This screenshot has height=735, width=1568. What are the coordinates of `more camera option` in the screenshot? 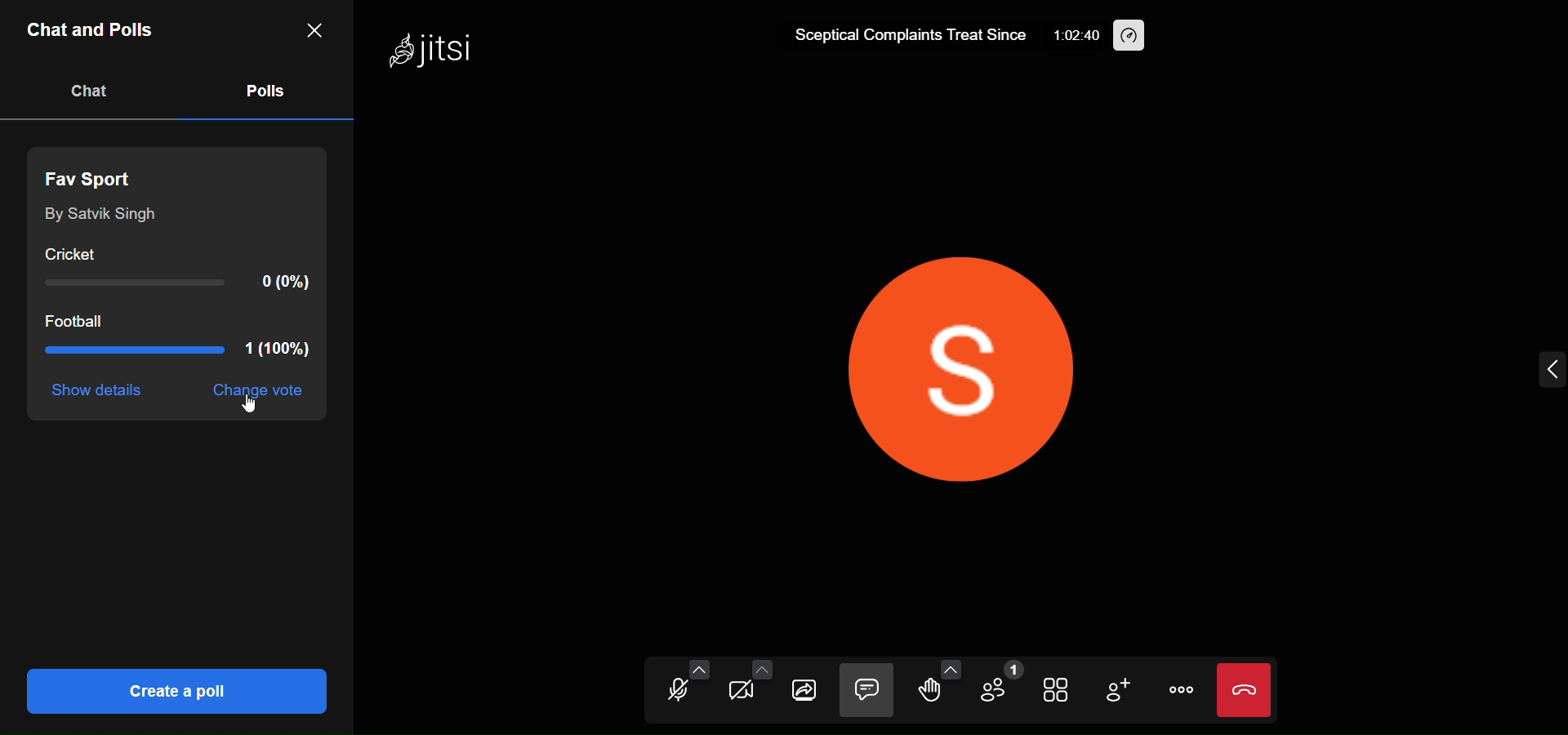 It's located at (761, 671).